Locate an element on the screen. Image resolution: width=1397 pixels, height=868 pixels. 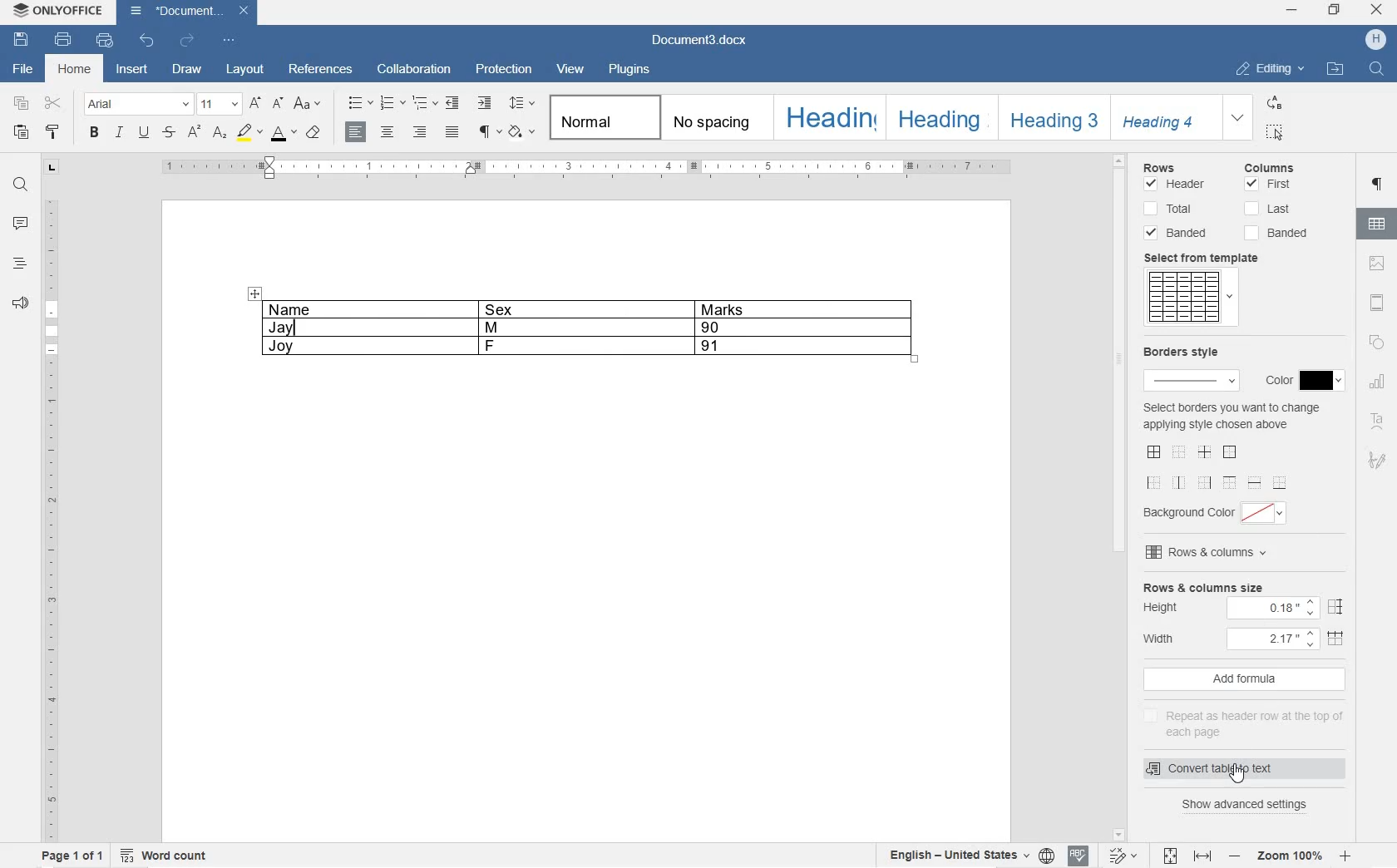
distribute rows is located at coordinates (1334, 607).